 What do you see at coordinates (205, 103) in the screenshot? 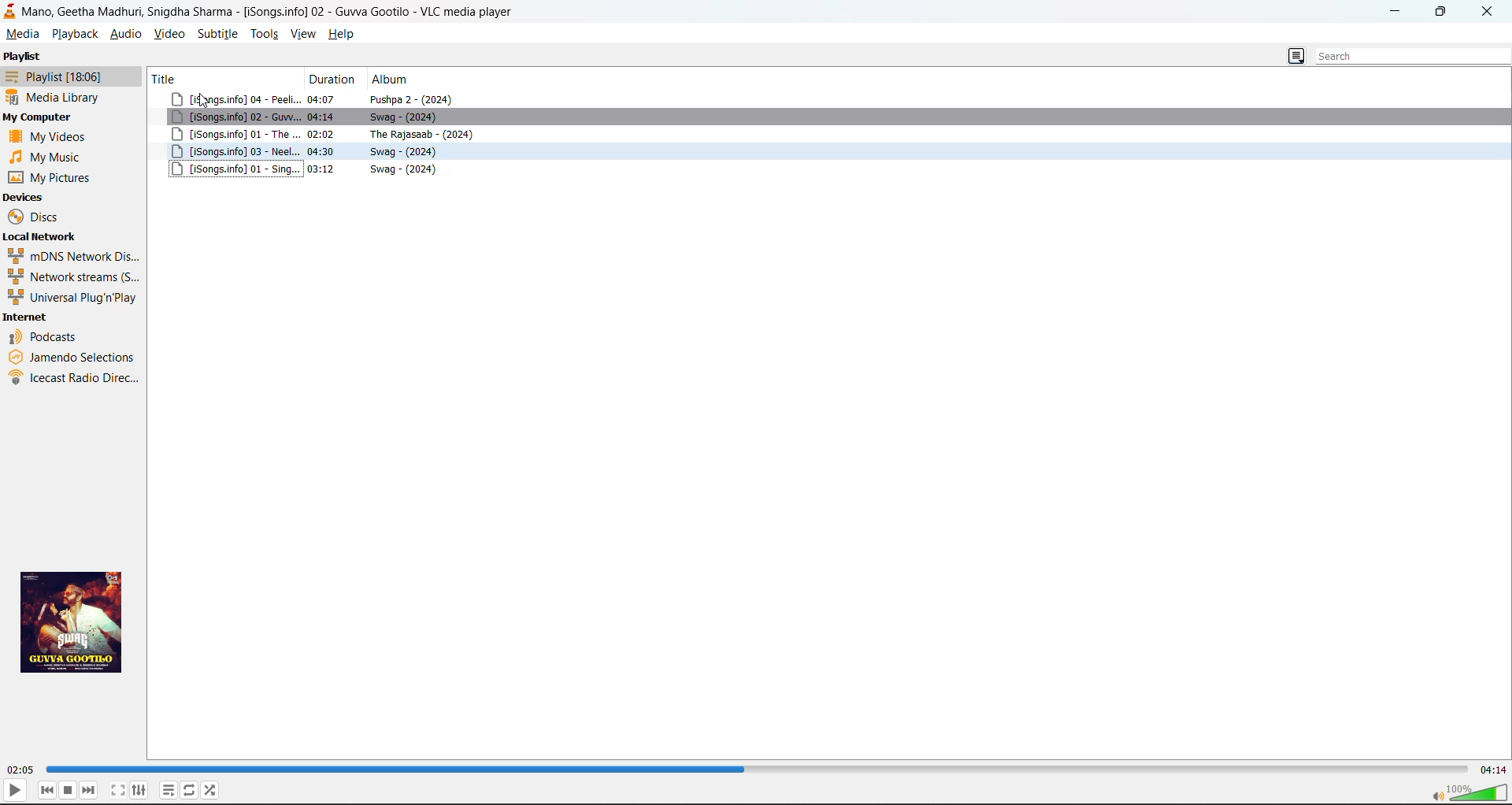
I see `cursor` at bounding box center [205, 103].